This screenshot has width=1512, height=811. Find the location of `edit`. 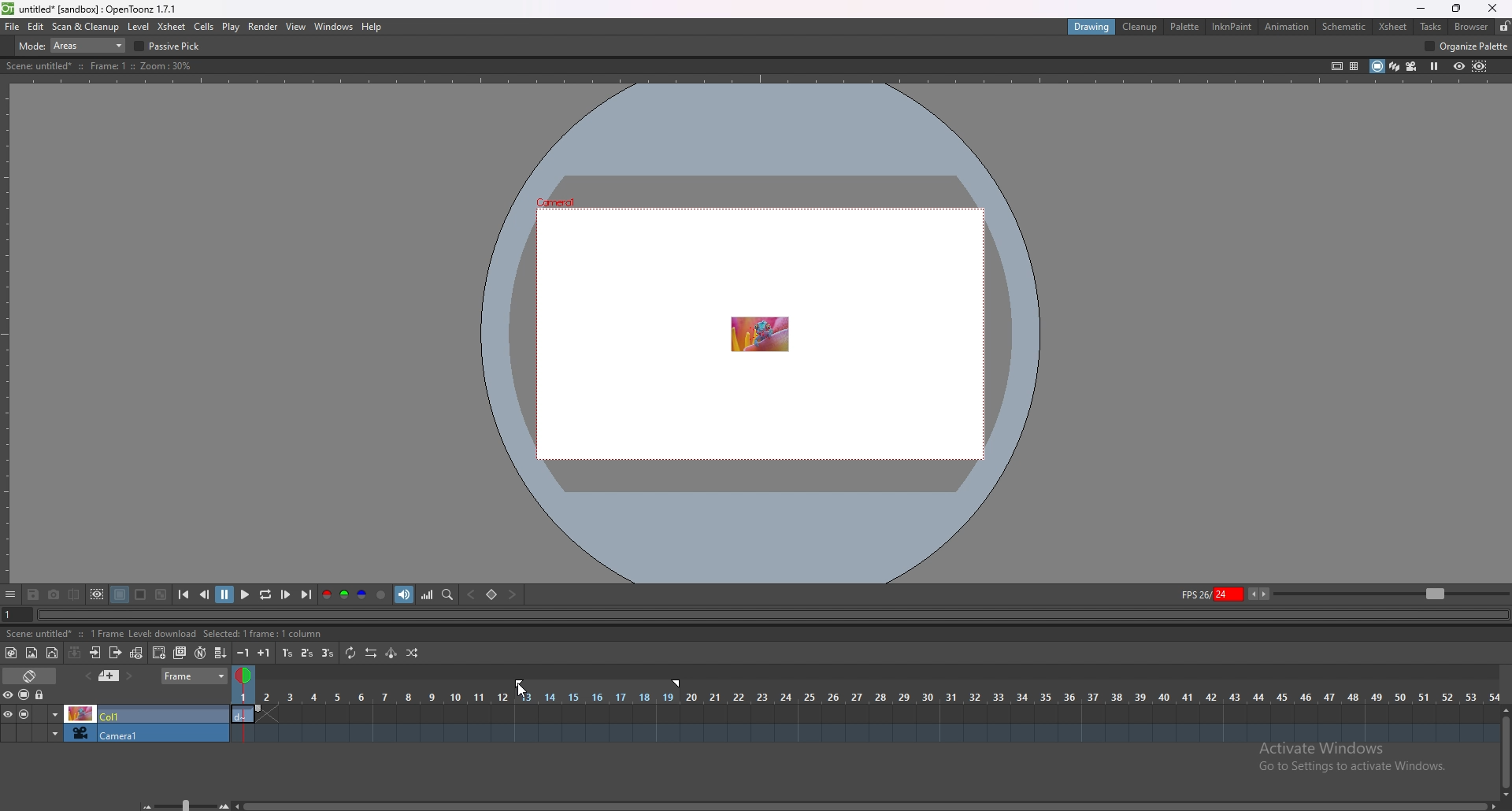

edit is located at coordinates (36, 27).